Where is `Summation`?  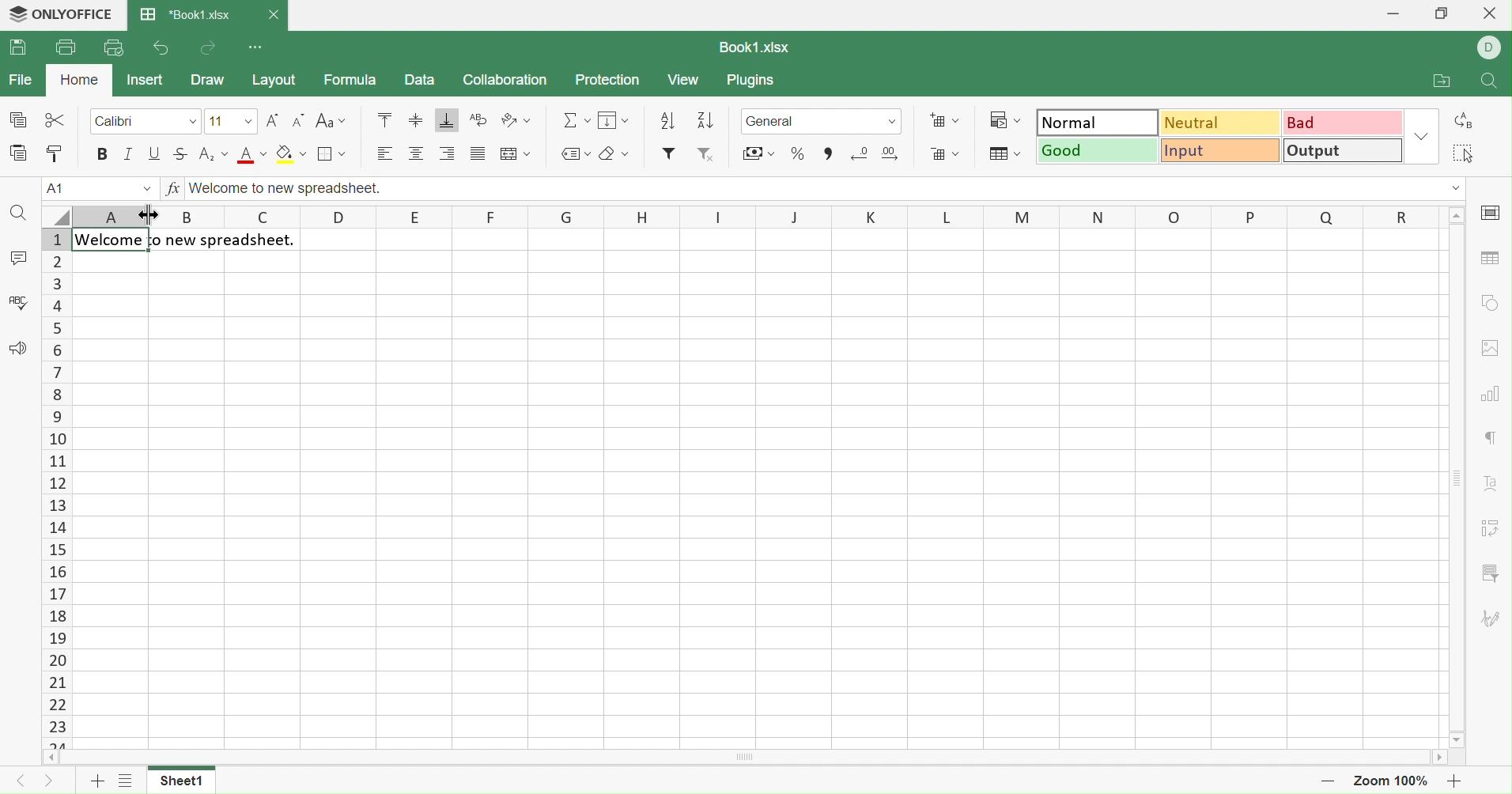
Summation is located at coordinates (576, 118).